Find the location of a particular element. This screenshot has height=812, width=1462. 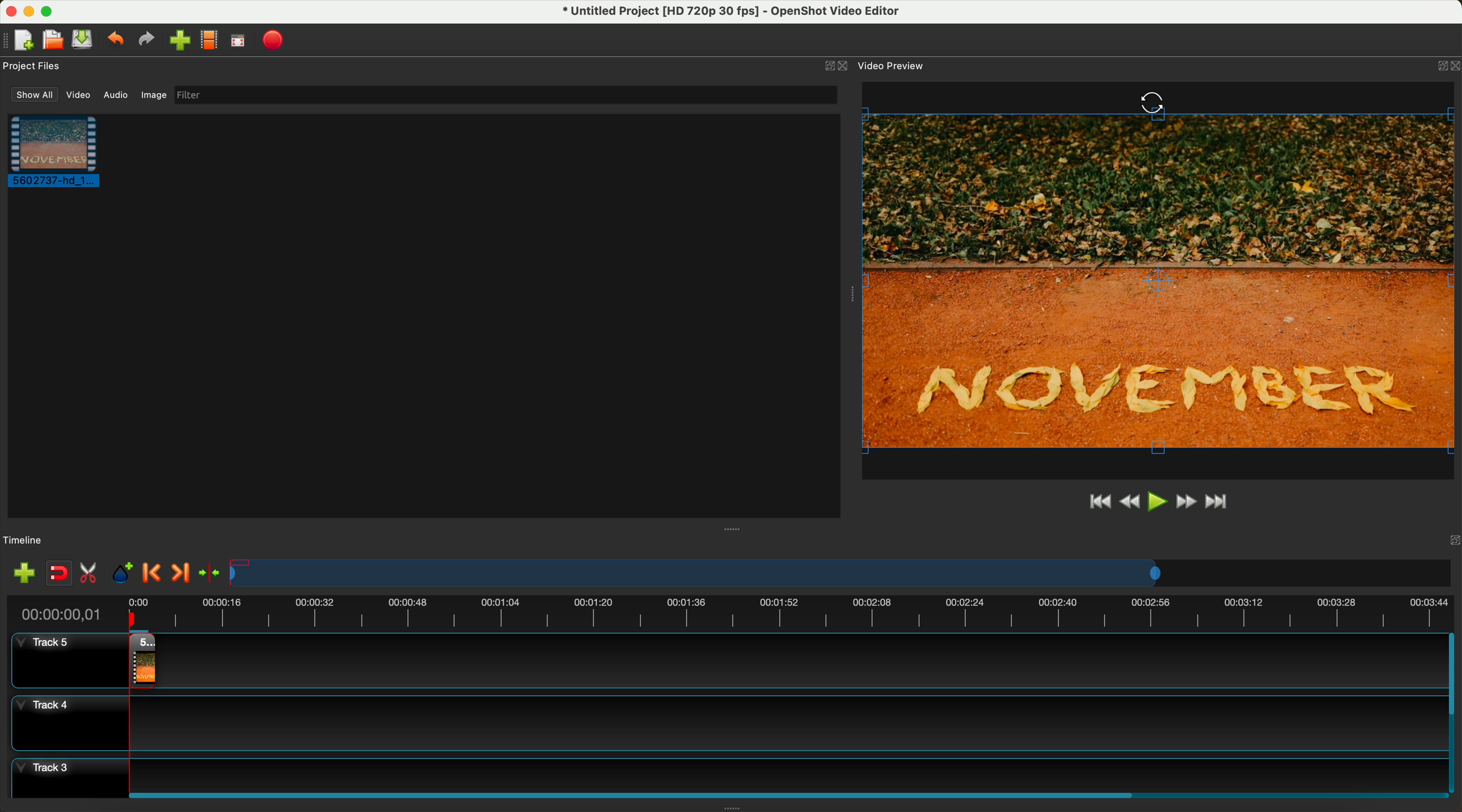

video preview is located at coordinates (1162, 276).